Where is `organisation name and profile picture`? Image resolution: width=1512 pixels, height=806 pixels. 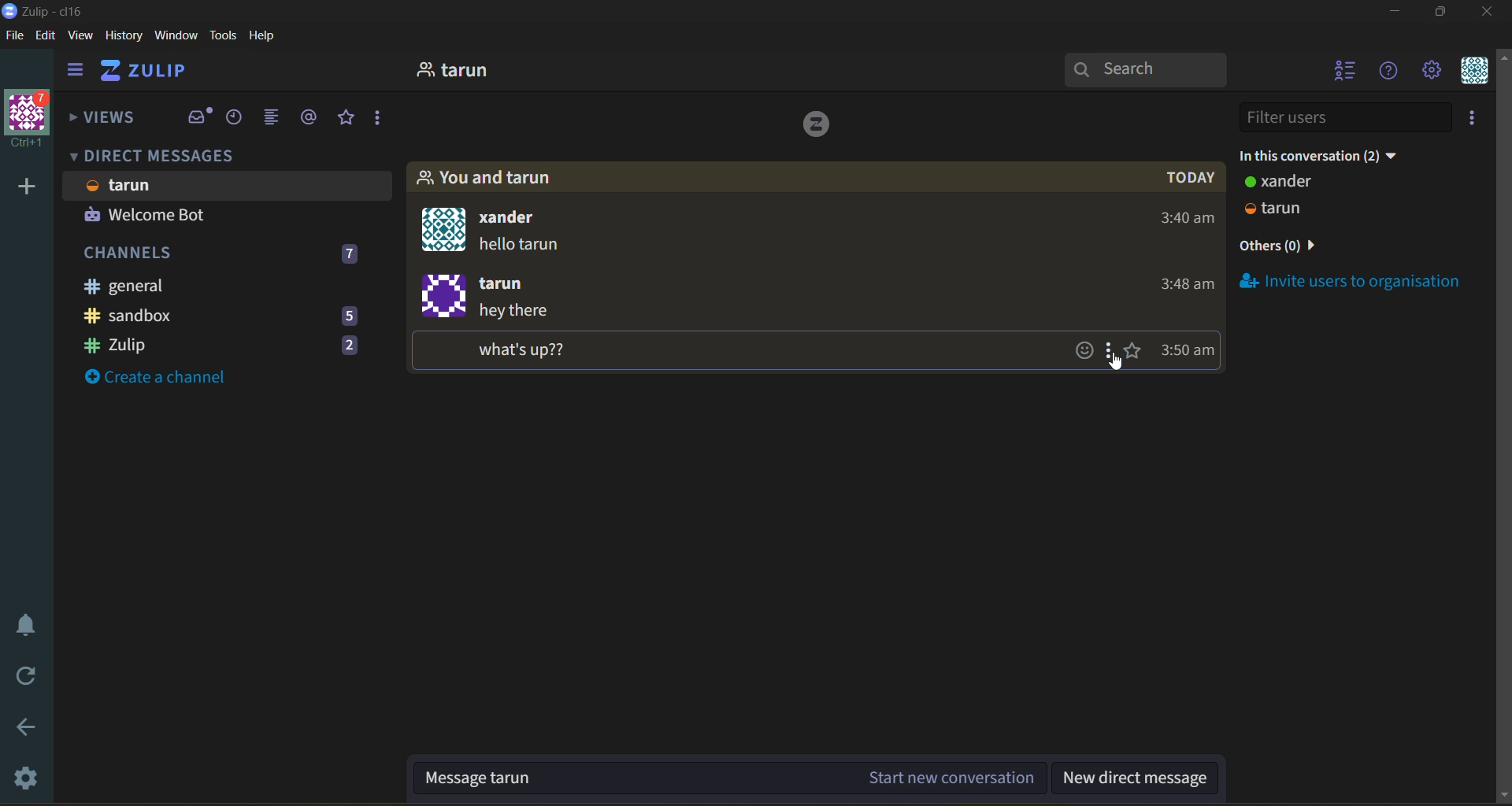
organisation name and profile picture is located at coordinates (31, 117).